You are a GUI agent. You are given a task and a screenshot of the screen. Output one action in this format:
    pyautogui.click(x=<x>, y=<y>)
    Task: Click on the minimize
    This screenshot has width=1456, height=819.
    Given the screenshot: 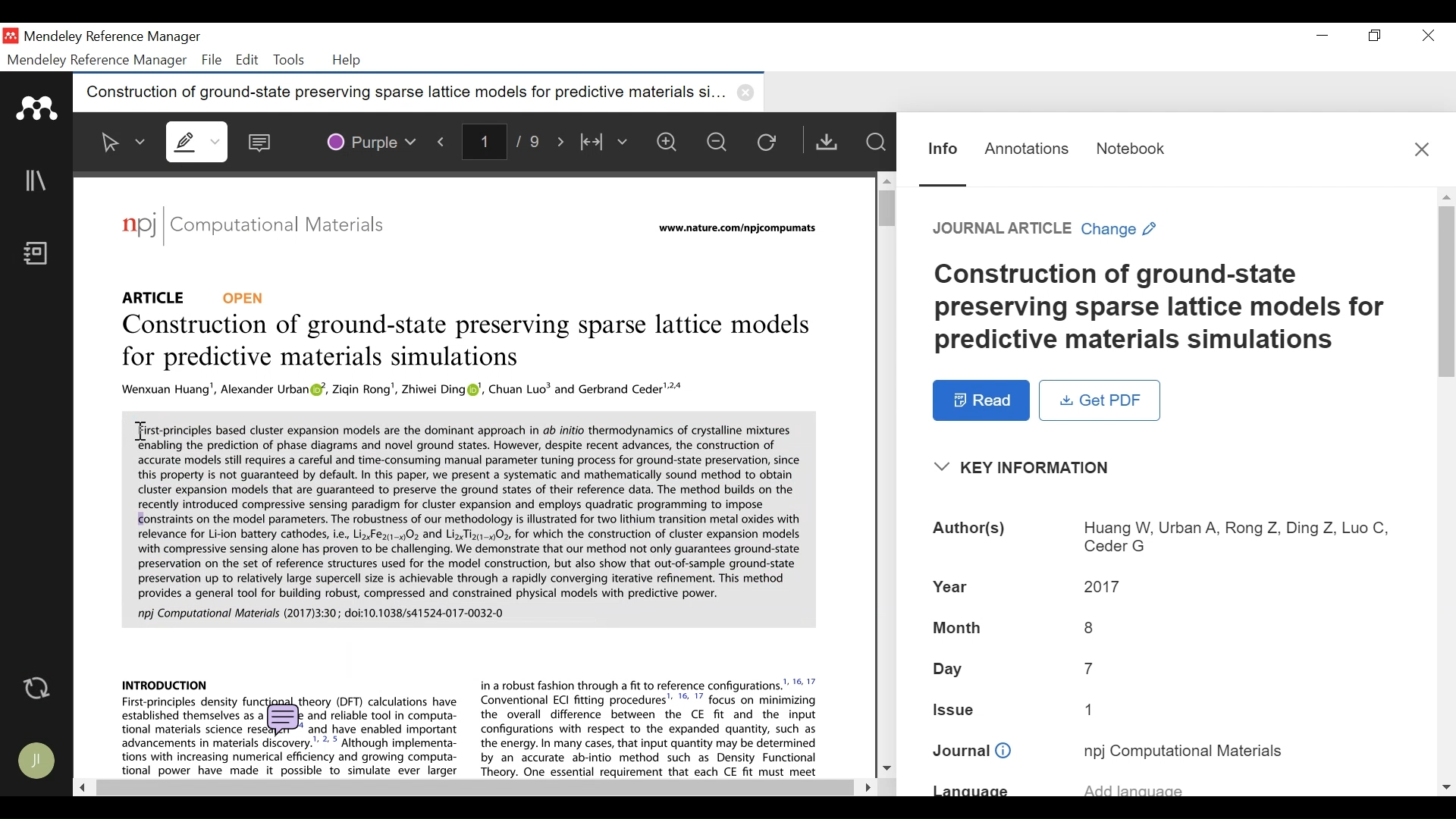 What is the action you would take?
    pyautogui.click(x=1323, y=36)
    